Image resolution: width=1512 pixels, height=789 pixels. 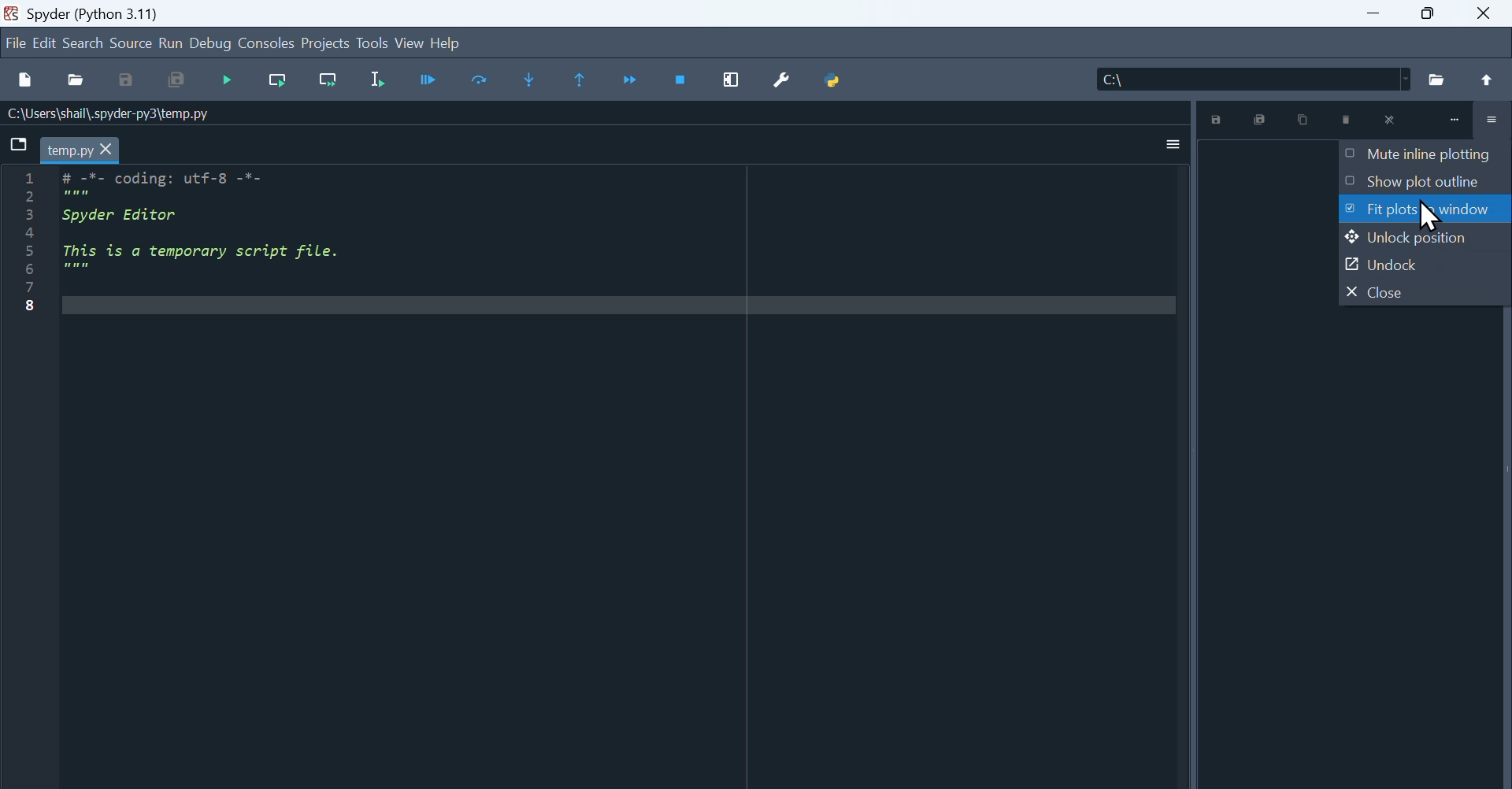 I want to click on save, so click(x=123, y=80).